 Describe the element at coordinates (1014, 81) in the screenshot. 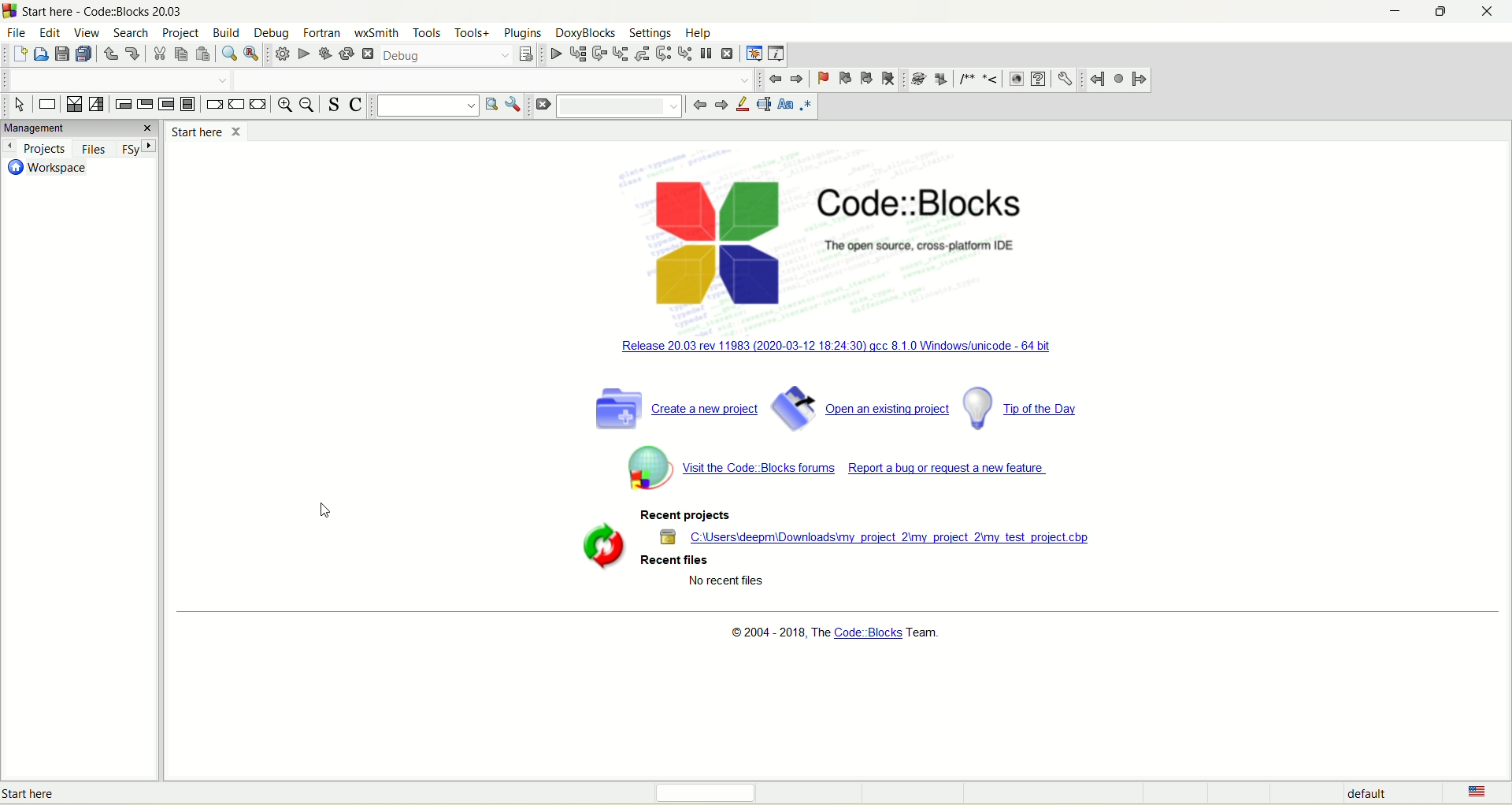

I see `HTML` at that location.